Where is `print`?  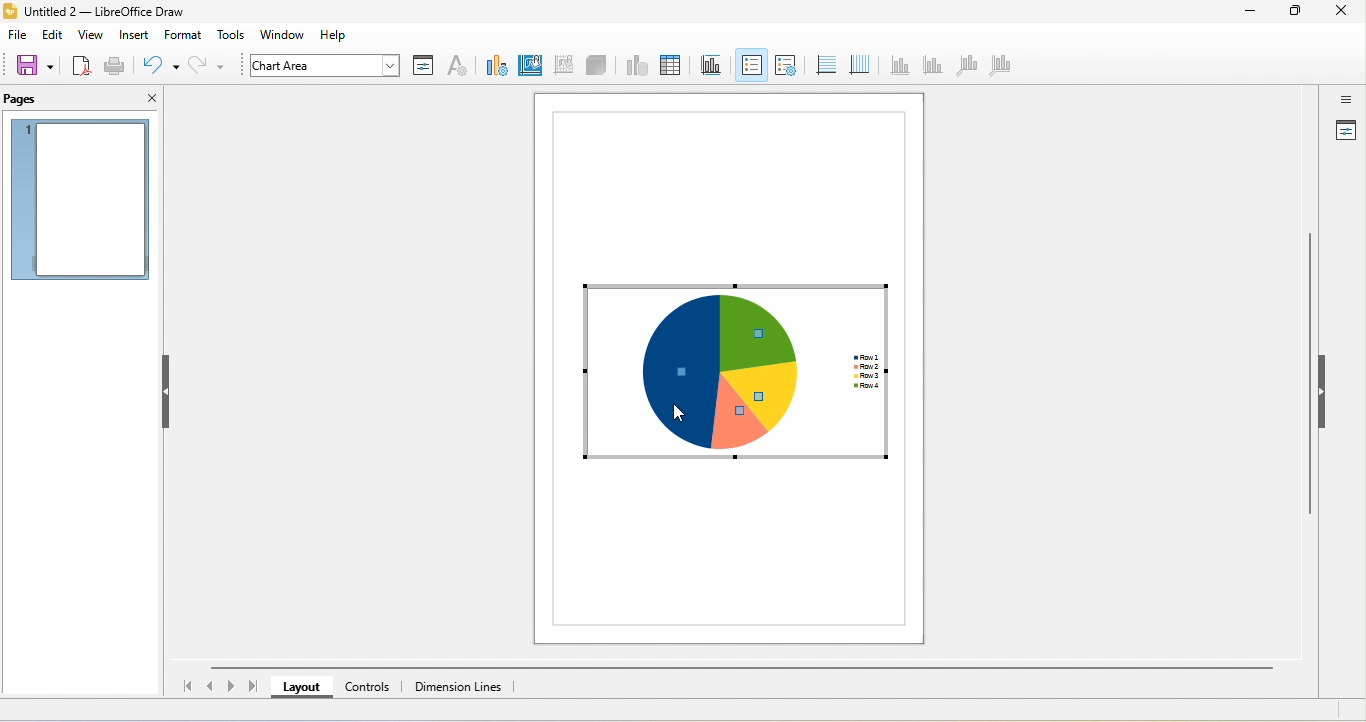 print is located at coordinates (115, 68).